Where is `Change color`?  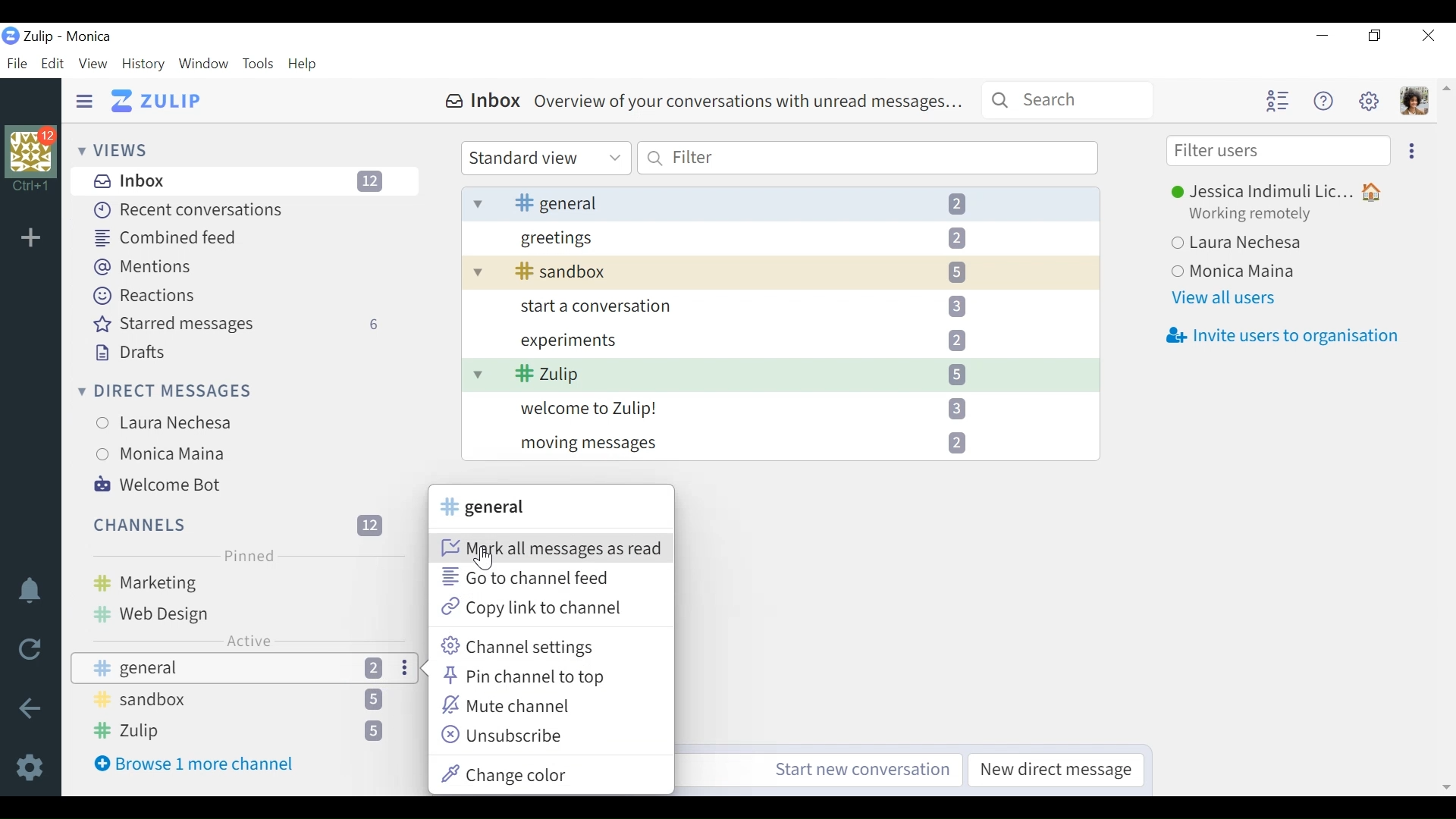 Change color is located at coordinates (517, 772).